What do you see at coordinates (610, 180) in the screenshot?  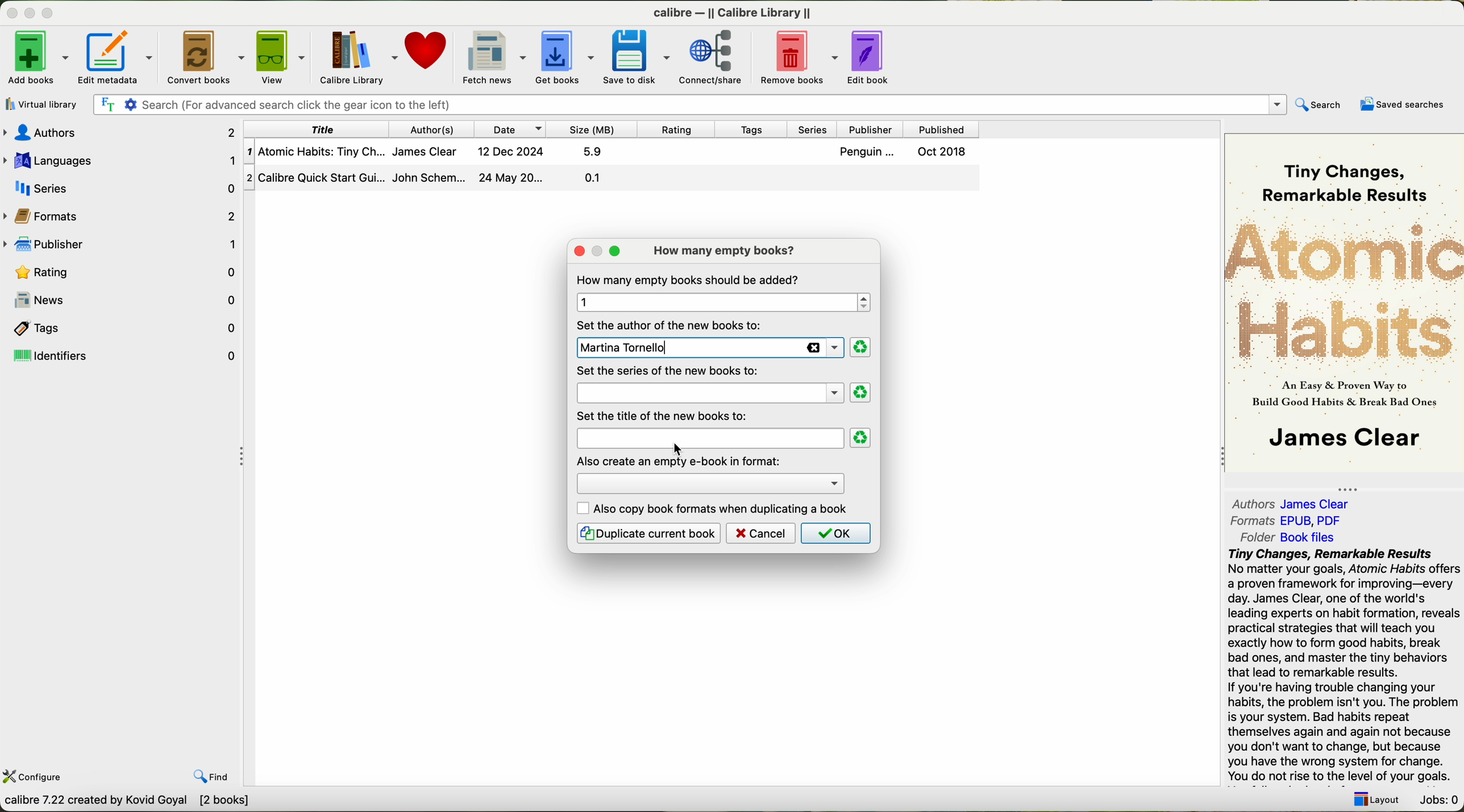 I see `second book` at bounding box center [610, 180].